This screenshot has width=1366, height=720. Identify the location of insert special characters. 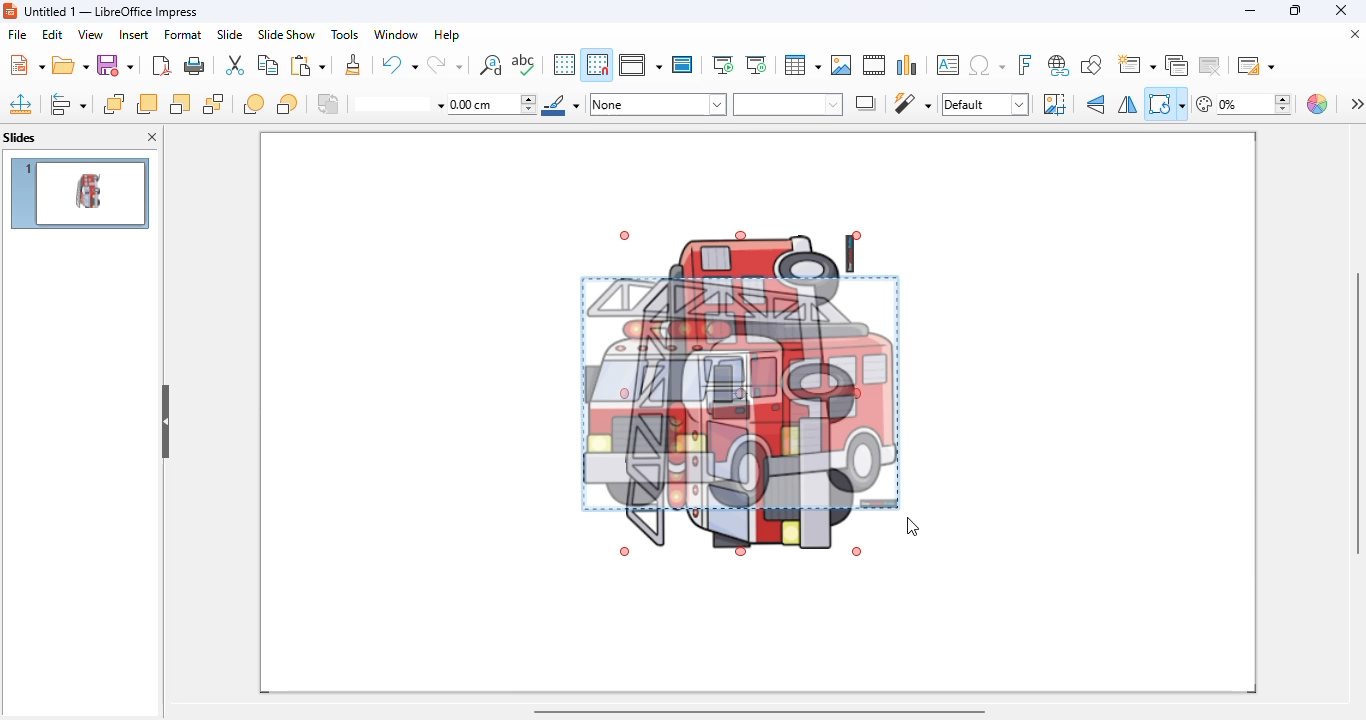
(987, 65).